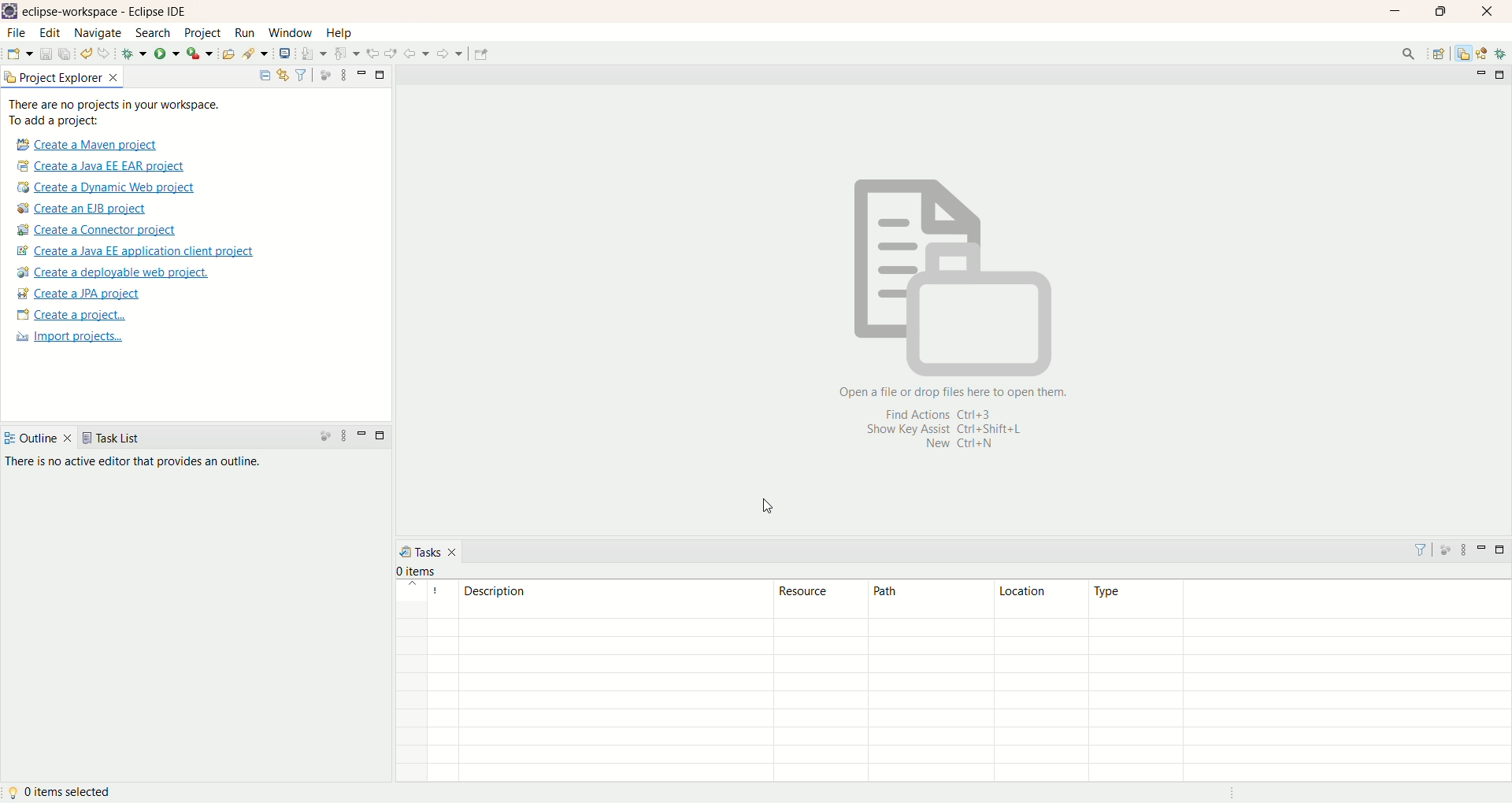 This screenshot has height=803, width=1512. What do you see at coordinates (586, 680) in the screenshot?
I see `description` at bounding box center [586, 680].